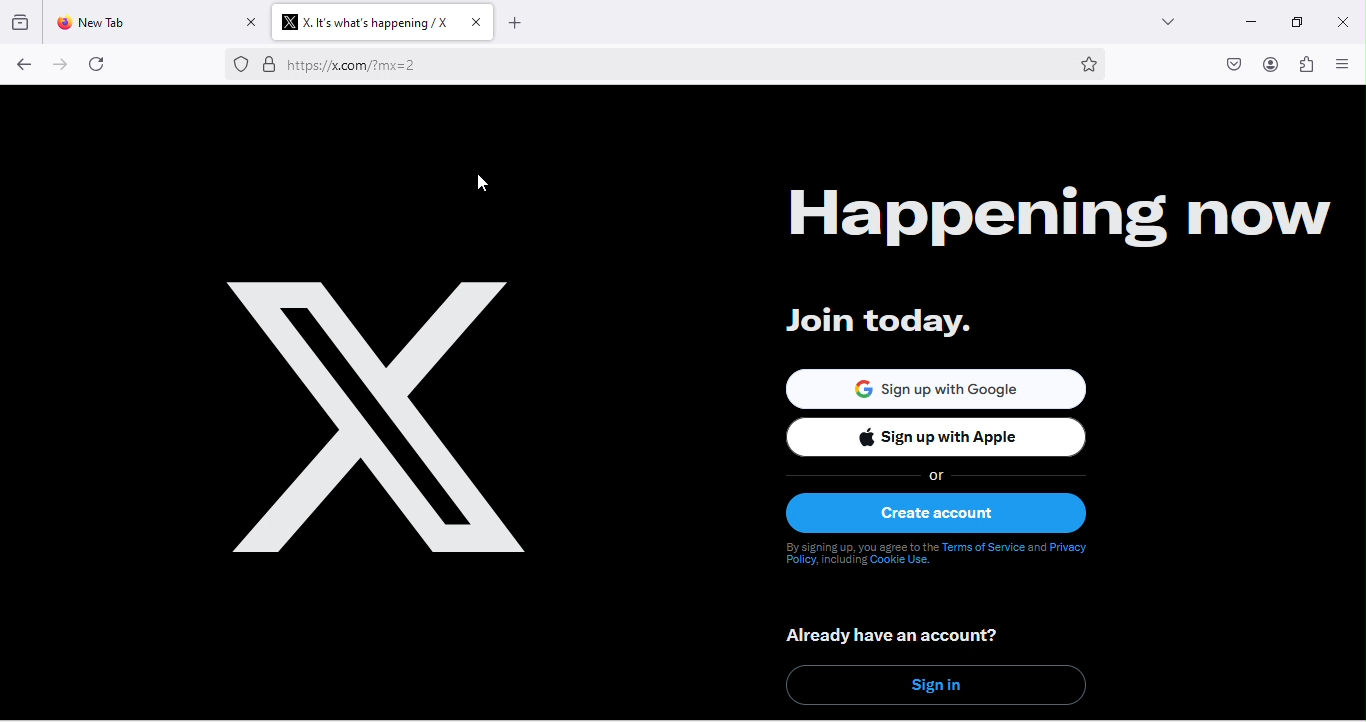 The height and width of the screenshot is (722, 1366). Describe the element at coordinates (1037, 214) in the screenshot. I see `happening now` at that location.